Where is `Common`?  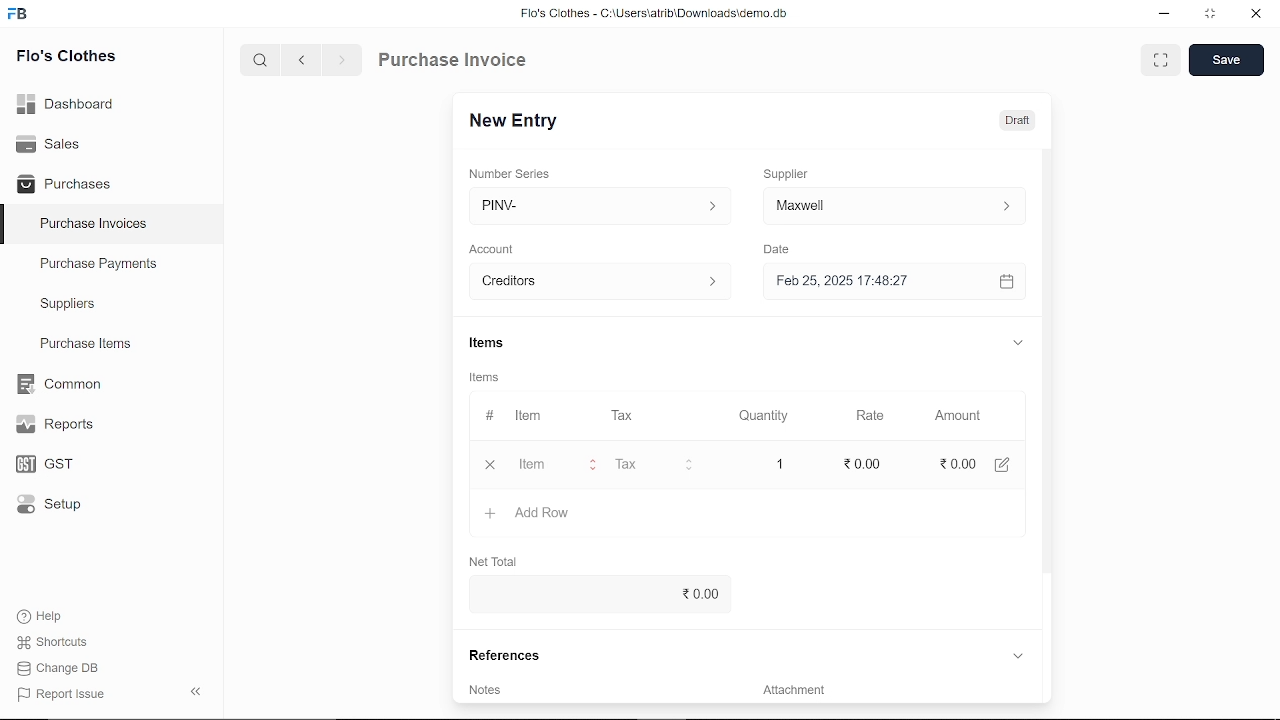
Common is located at coordinates (61, 384).